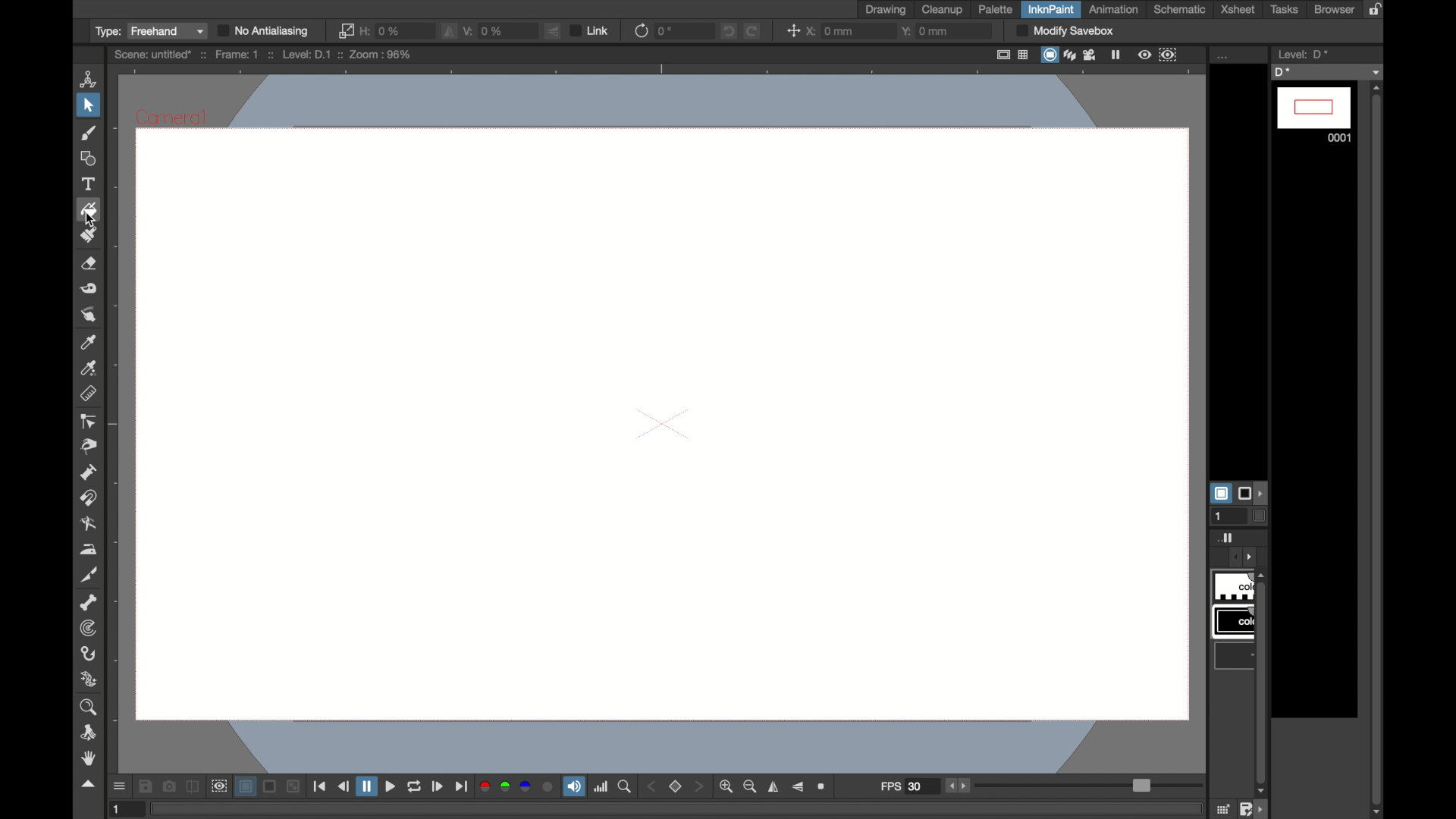 The width and height of the screenshot is (1456, 819). Describe the element at coordinates (88, 603) in the screenshot. I see `skeleton tool` at that location.